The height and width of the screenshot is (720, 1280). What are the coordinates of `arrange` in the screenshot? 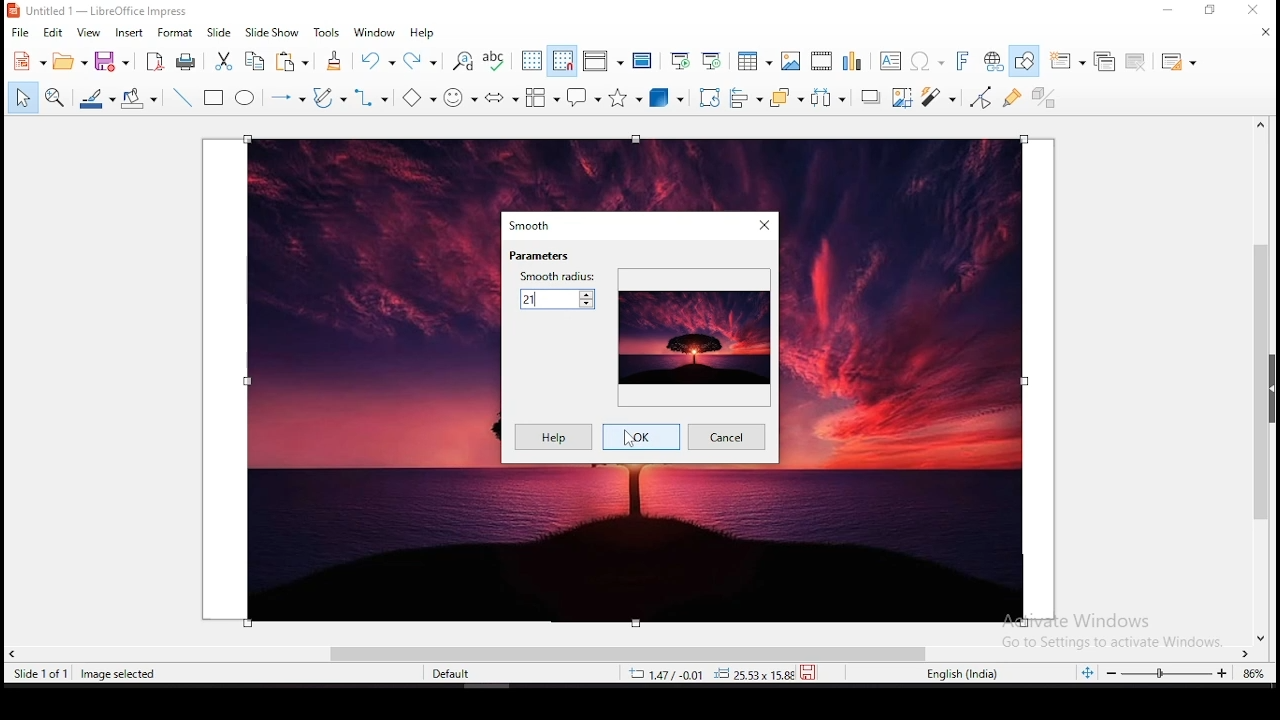 It's located at (785, 98).